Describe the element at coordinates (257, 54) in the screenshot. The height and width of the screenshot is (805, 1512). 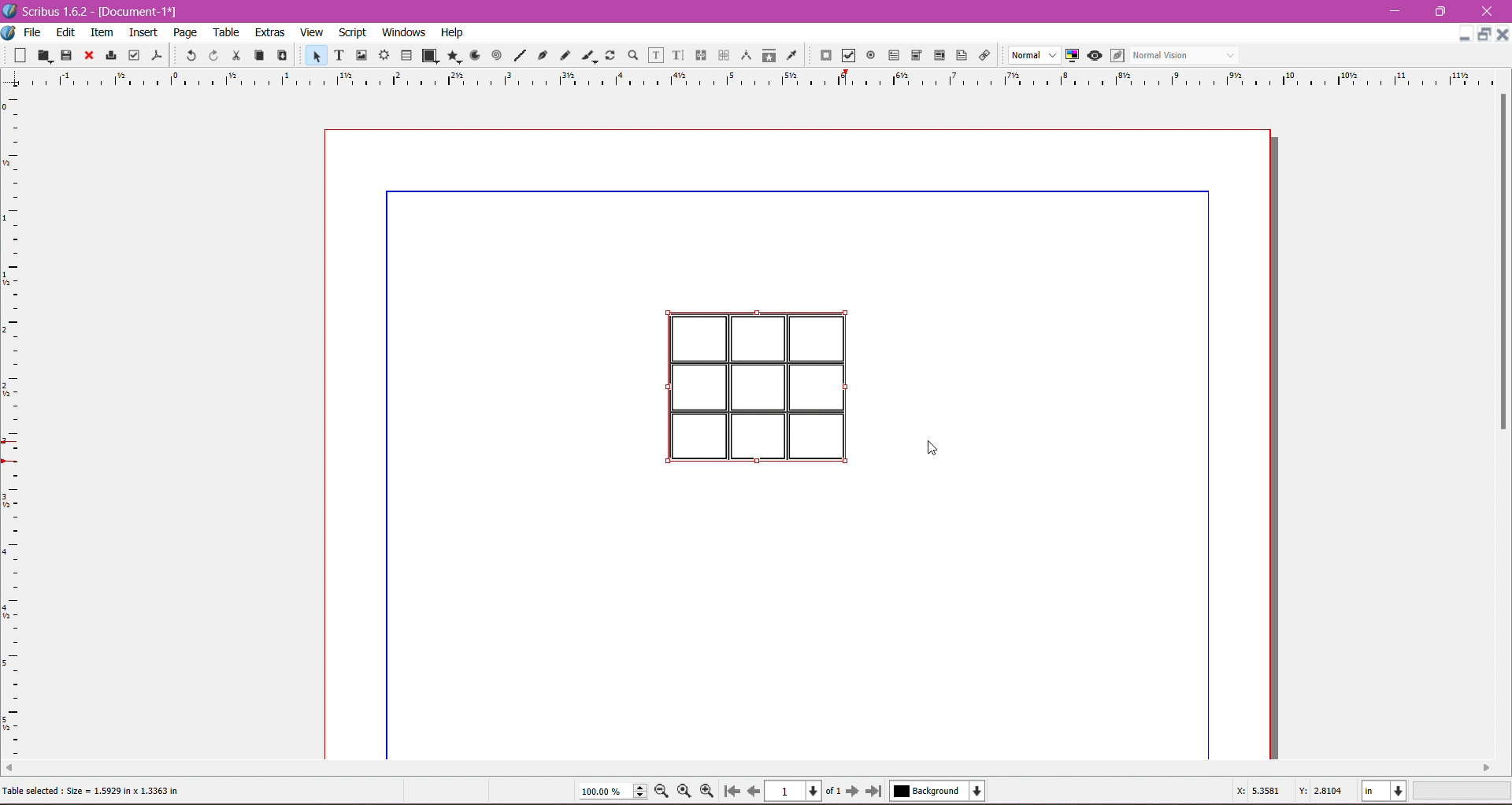
I see `Copy` at that location.